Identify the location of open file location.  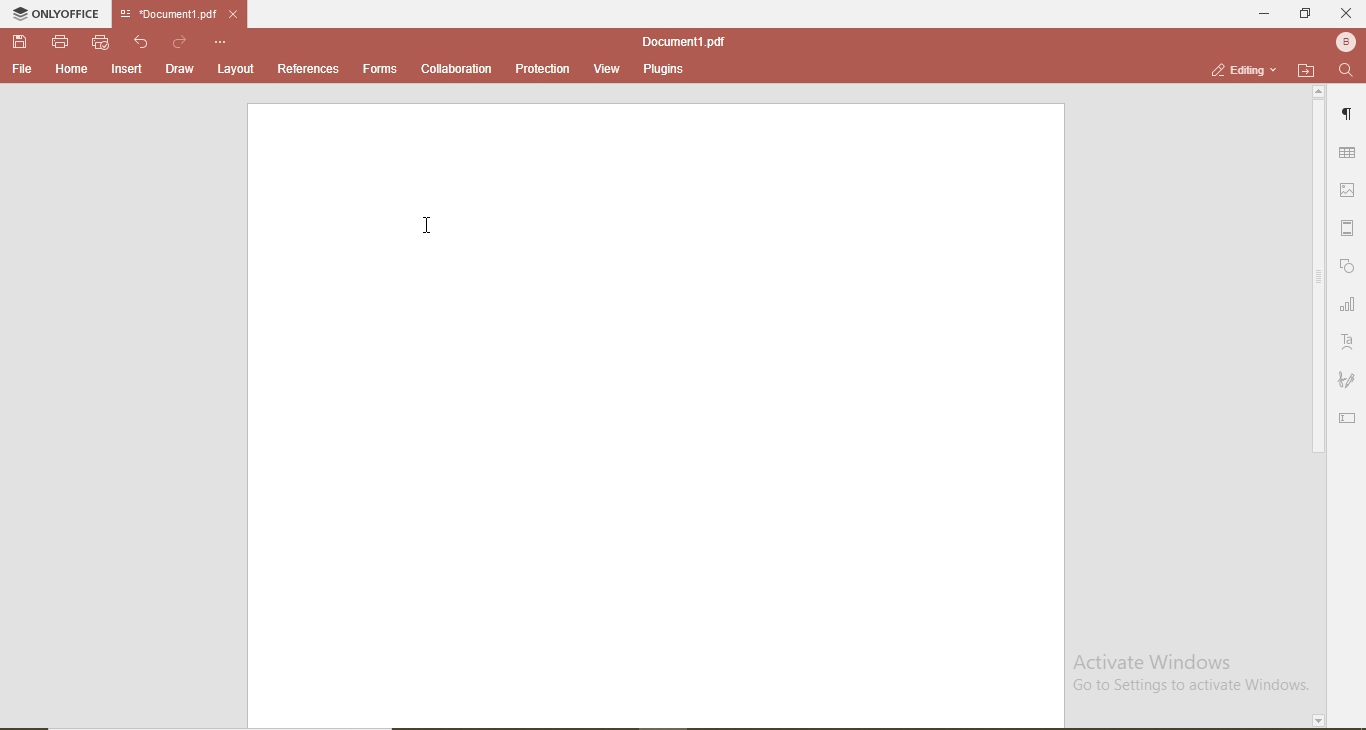
(1307, 71).